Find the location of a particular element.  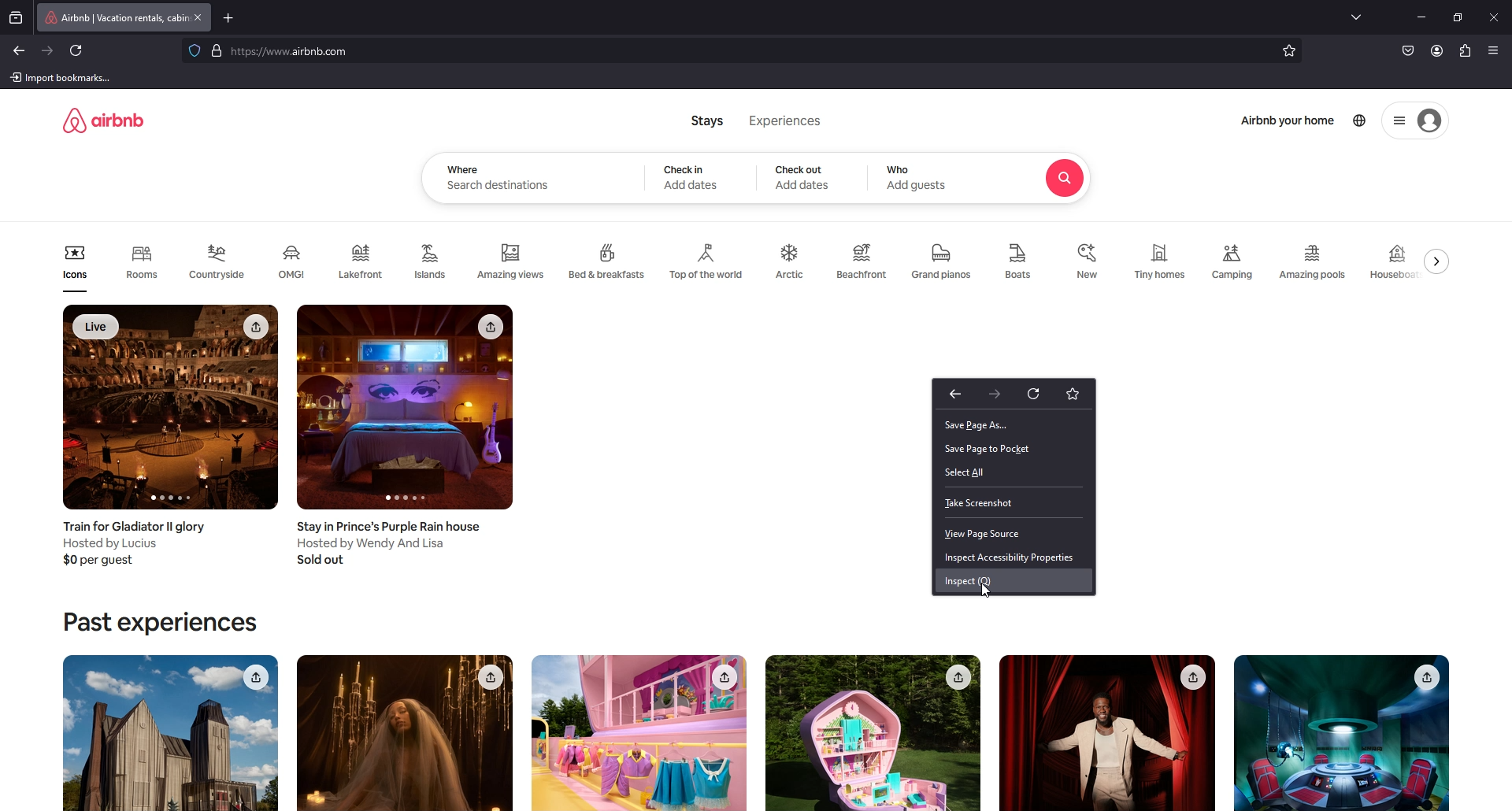

import bookmarks is located at coordinates (64, 77).